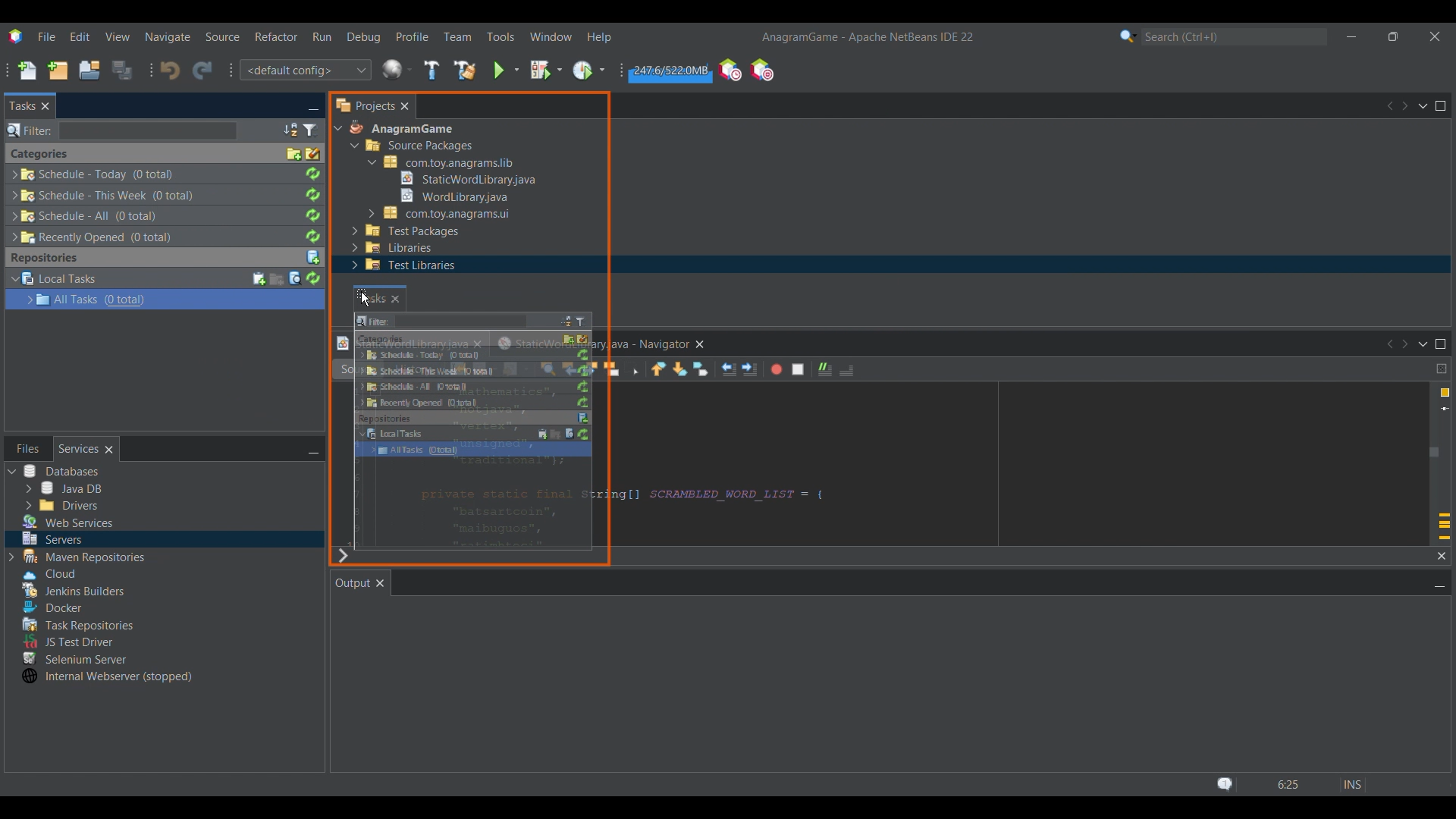 This screenshot has width=1456, height=819. What do you see at coordinates (750, 369) in the screenshot?
I see `Shift line right` at bounding box center [750, 369].